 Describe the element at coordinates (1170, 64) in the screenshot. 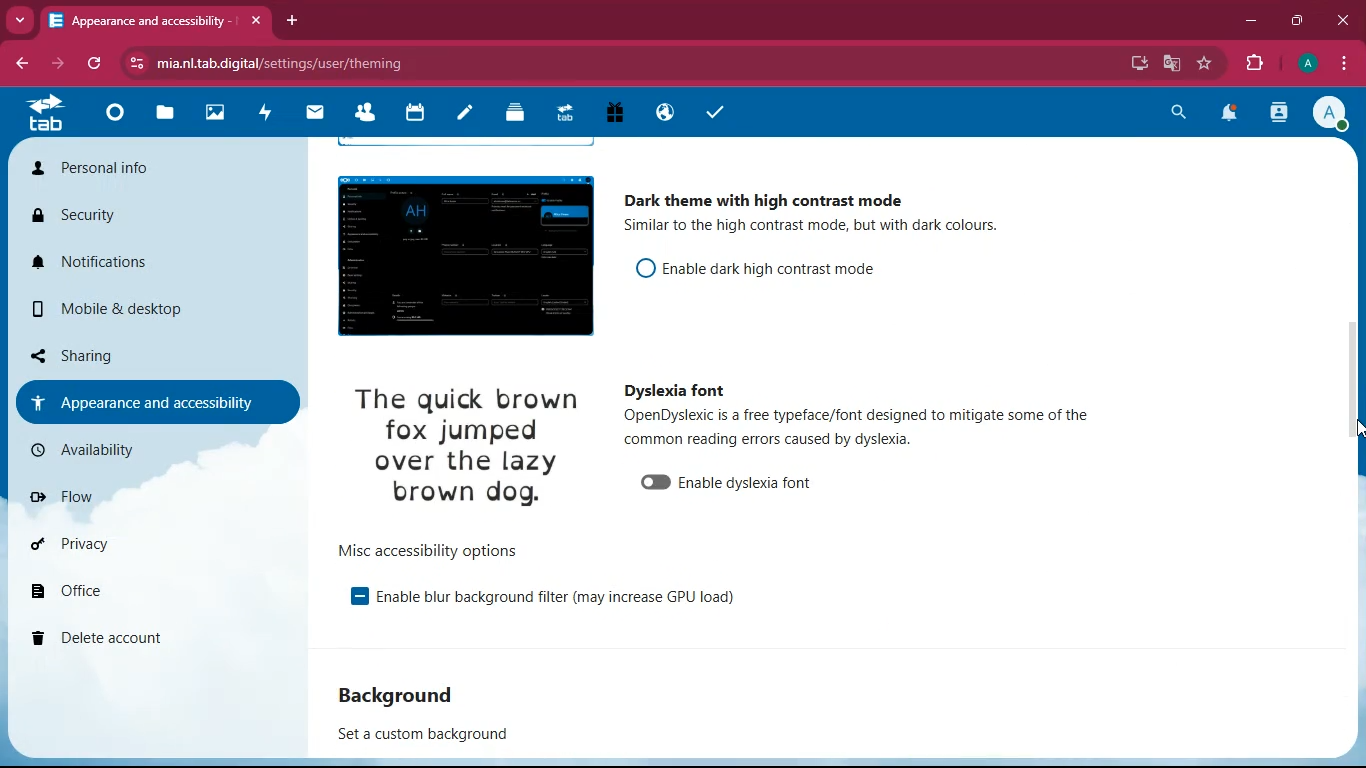

I see `google translate` at that location.